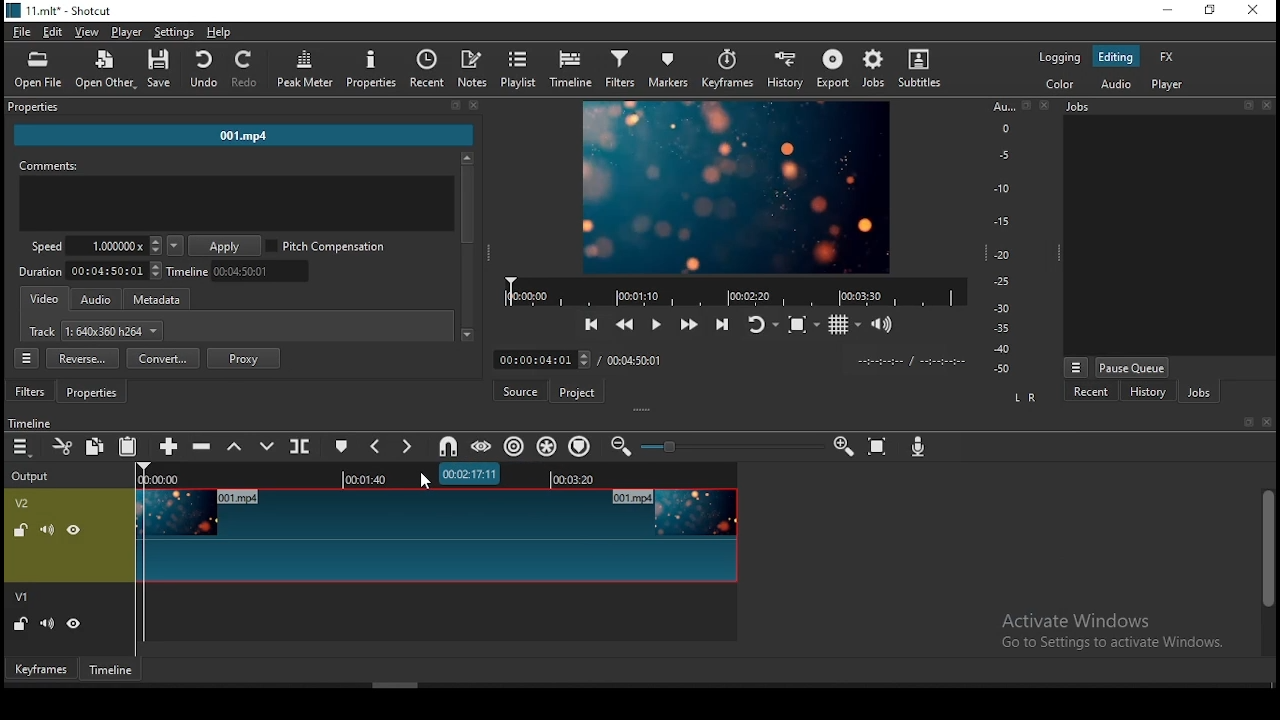 The width and height of the screenshot is (1280, 720). Describe the element at coordinates (53, 33) in the screenshot. I see `edit` at that location.